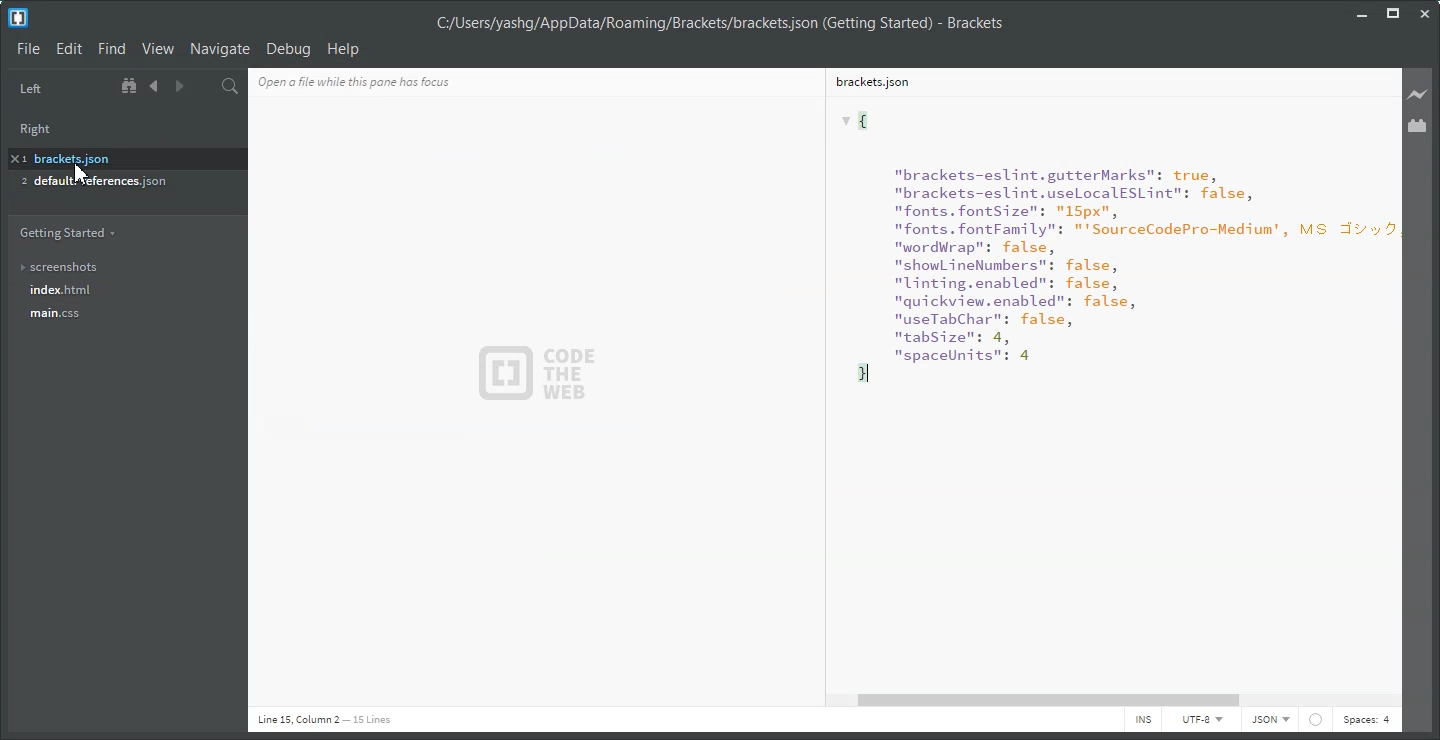  I want to click on Live Preview, so click(1418, 94).